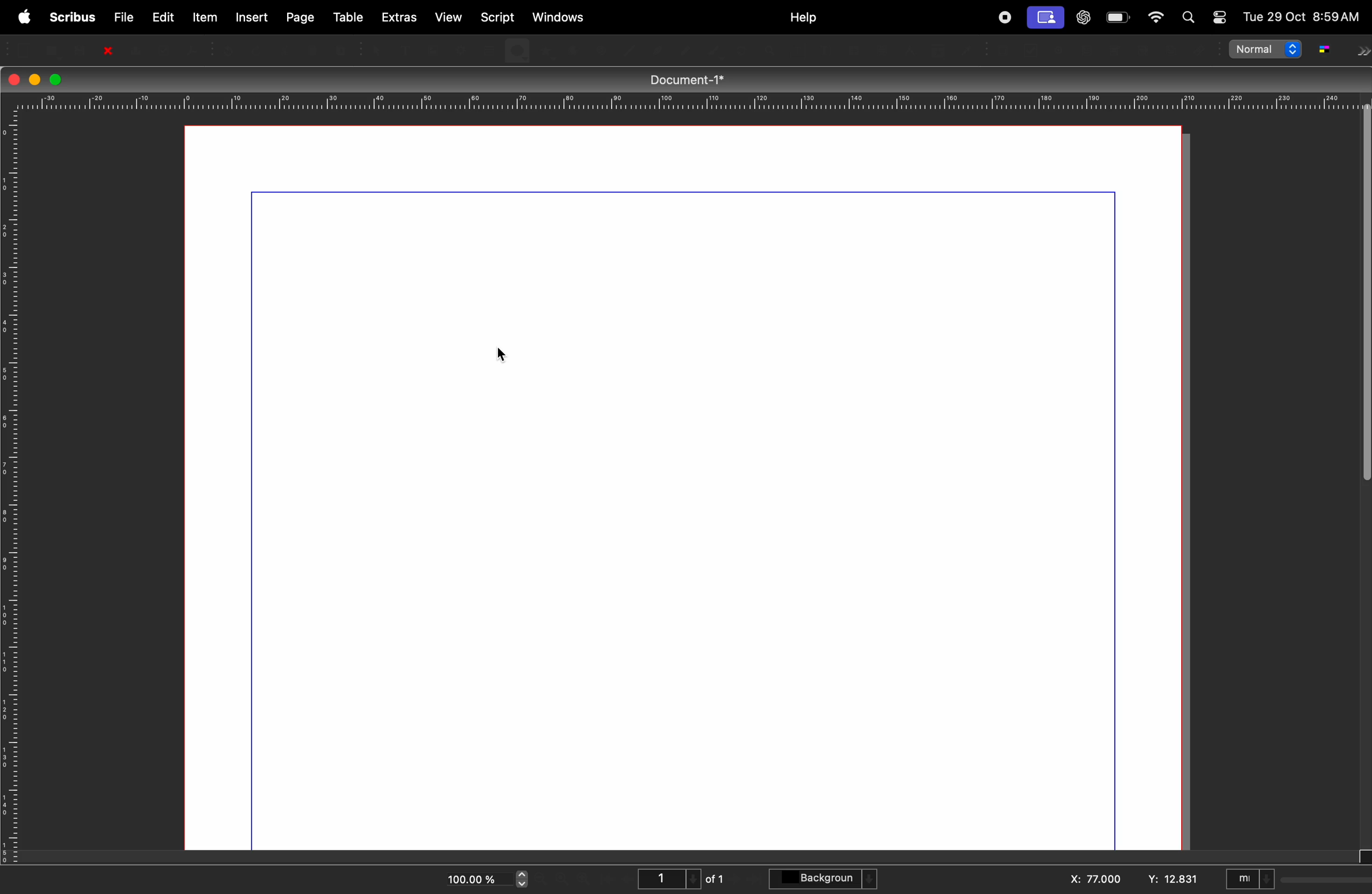  I want to click on Image frame, so click(431, 48).